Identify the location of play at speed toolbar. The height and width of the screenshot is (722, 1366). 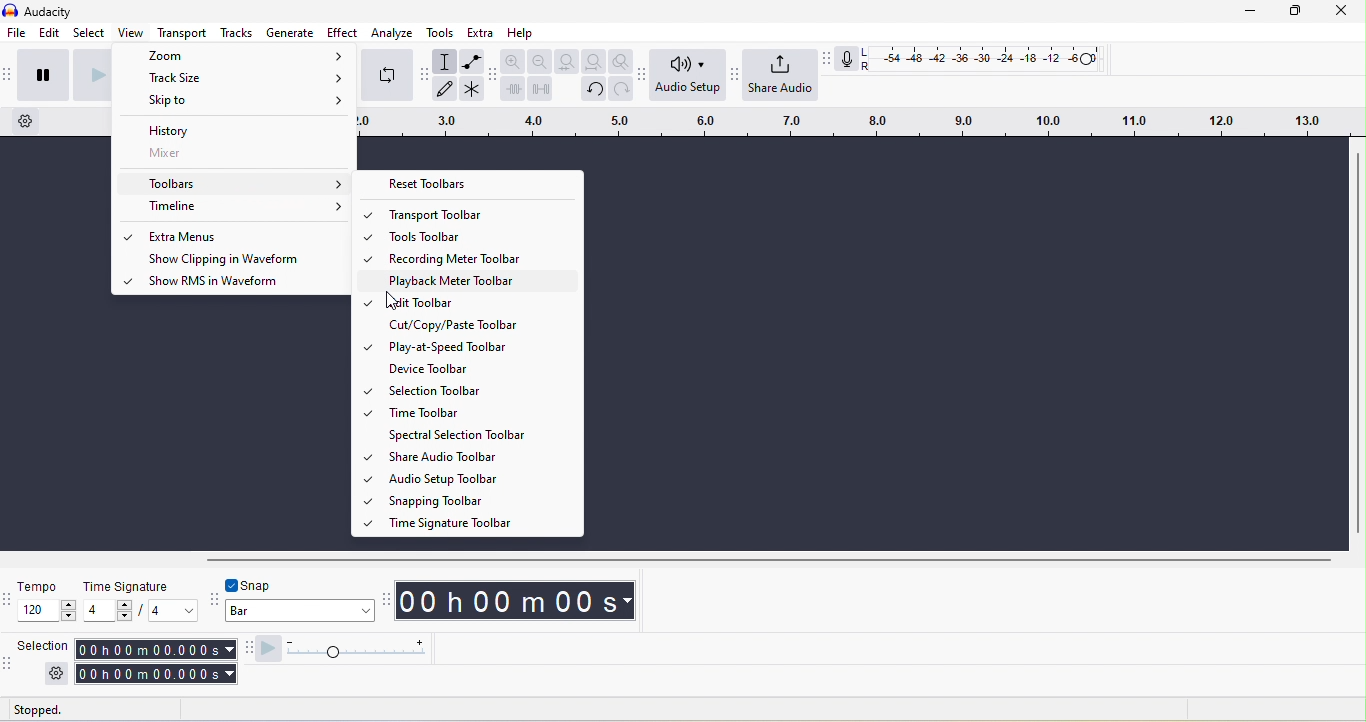
(246, 649).